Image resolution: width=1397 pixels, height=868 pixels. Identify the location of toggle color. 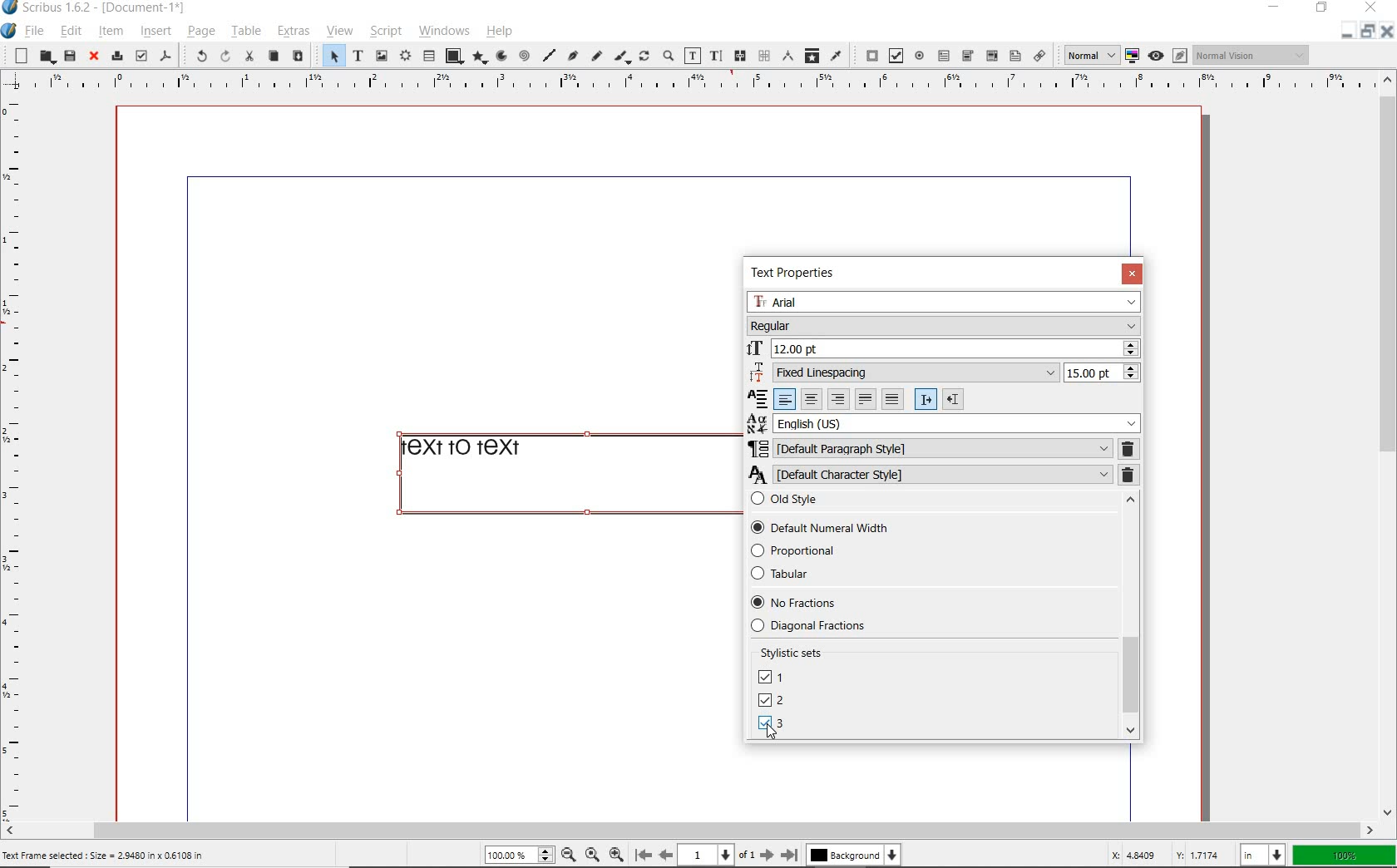
(1133, 57).